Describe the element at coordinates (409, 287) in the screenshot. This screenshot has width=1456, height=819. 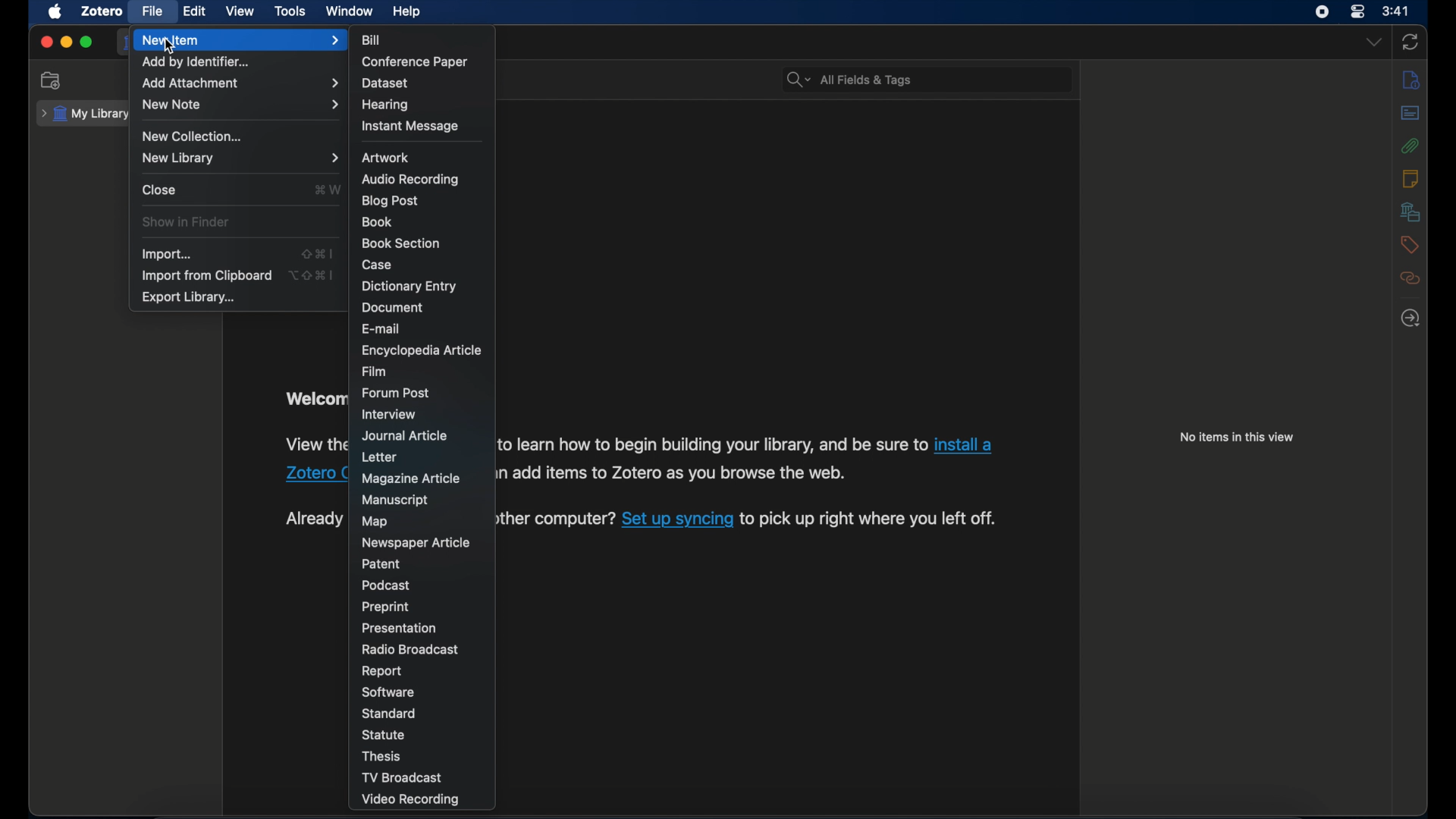
I see `dictionary entry` at that location.